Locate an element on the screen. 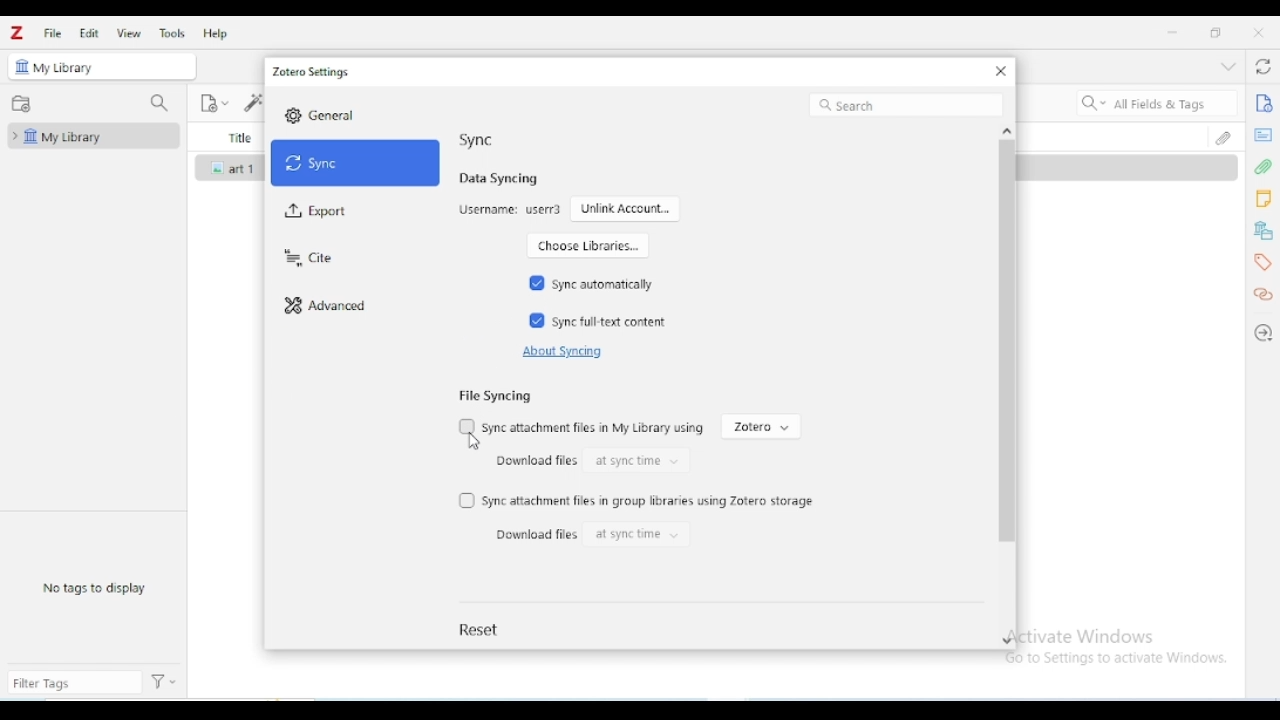 Image resolution: width=1280 pixels, height=720 pixels. file syncing is located at coordinates (494, 395).